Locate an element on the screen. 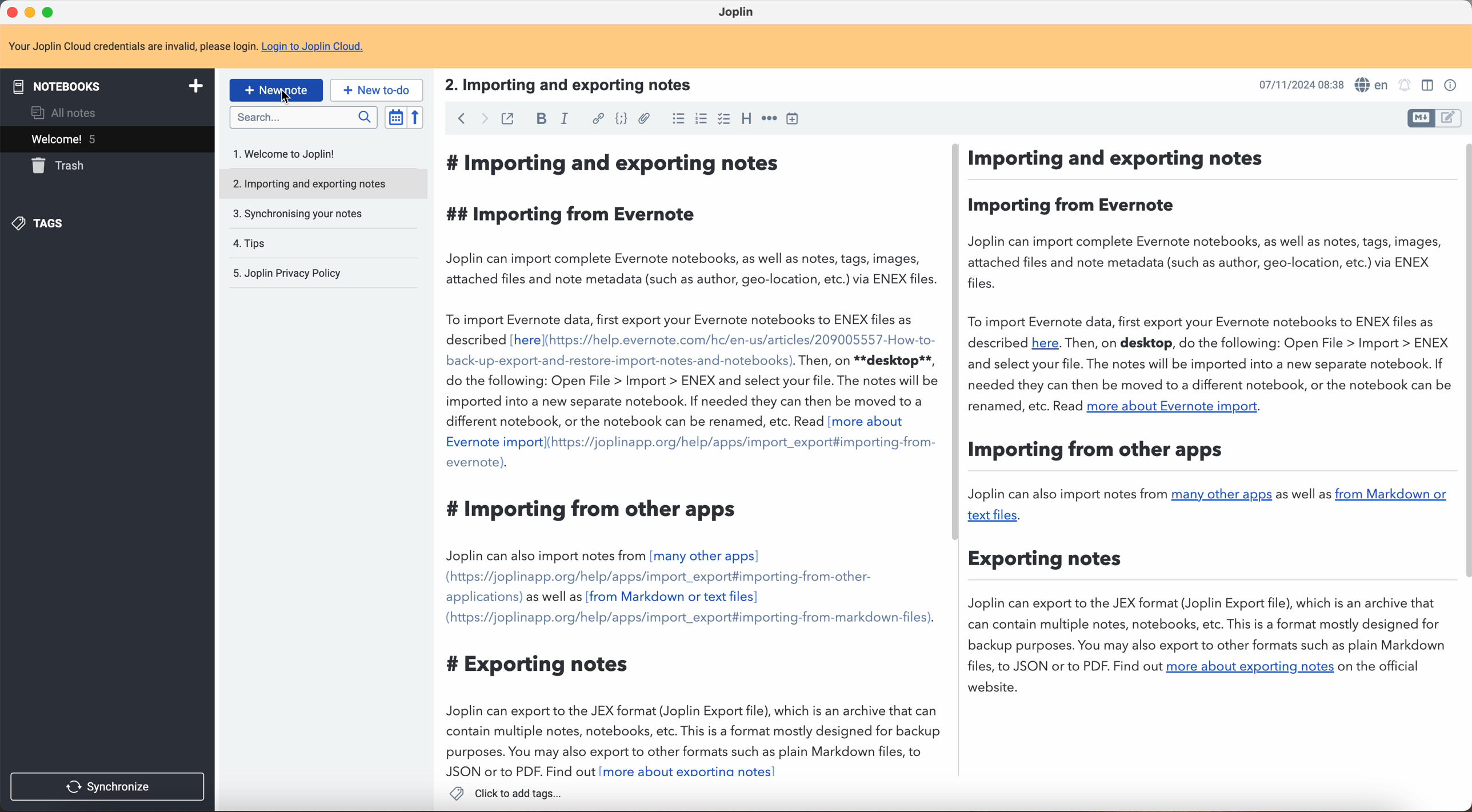  body text is located at coordinates (690, 460).